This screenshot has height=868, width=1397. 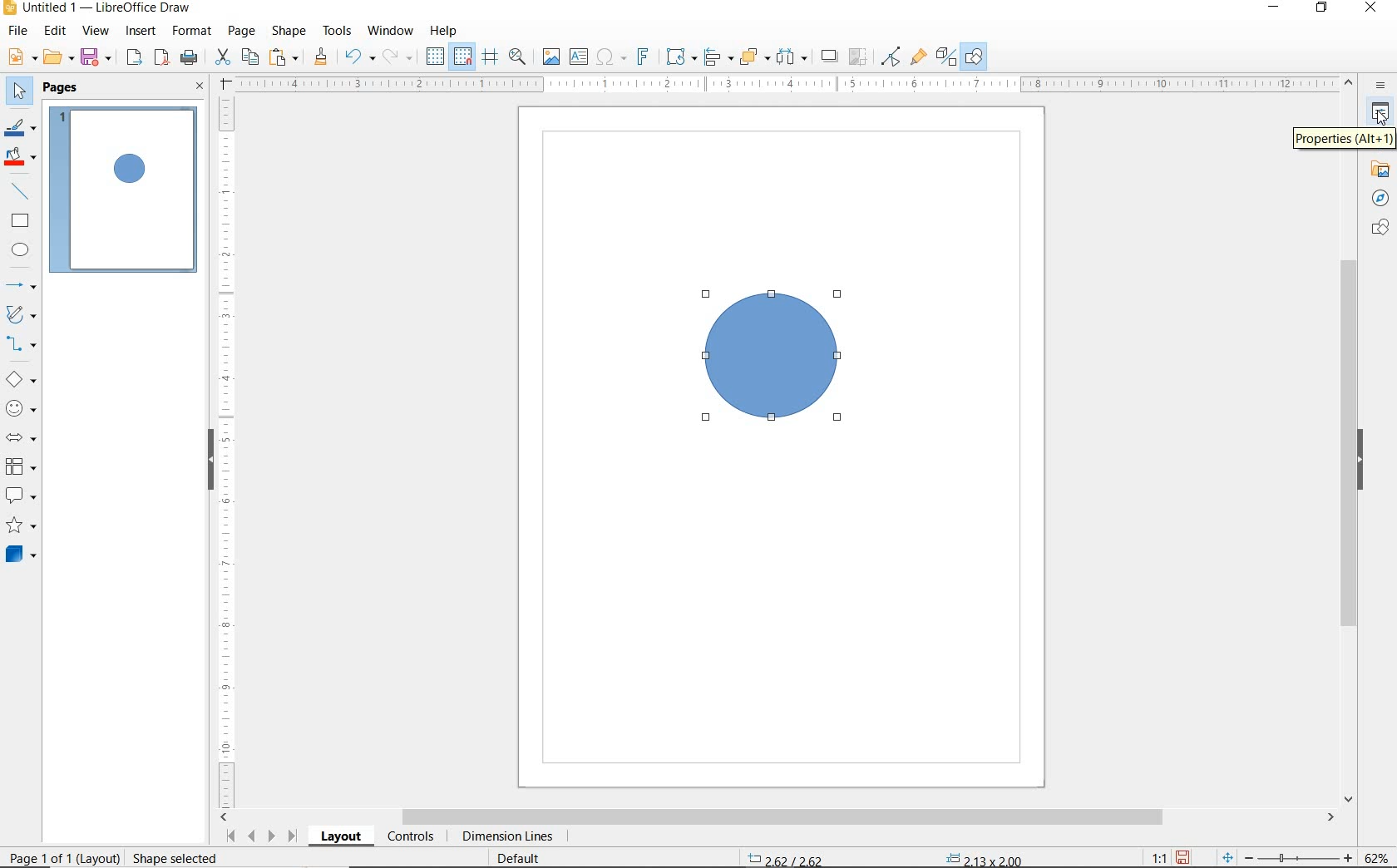 I want to click on TRANSFORMATIONS, so click(x=681, y=55).